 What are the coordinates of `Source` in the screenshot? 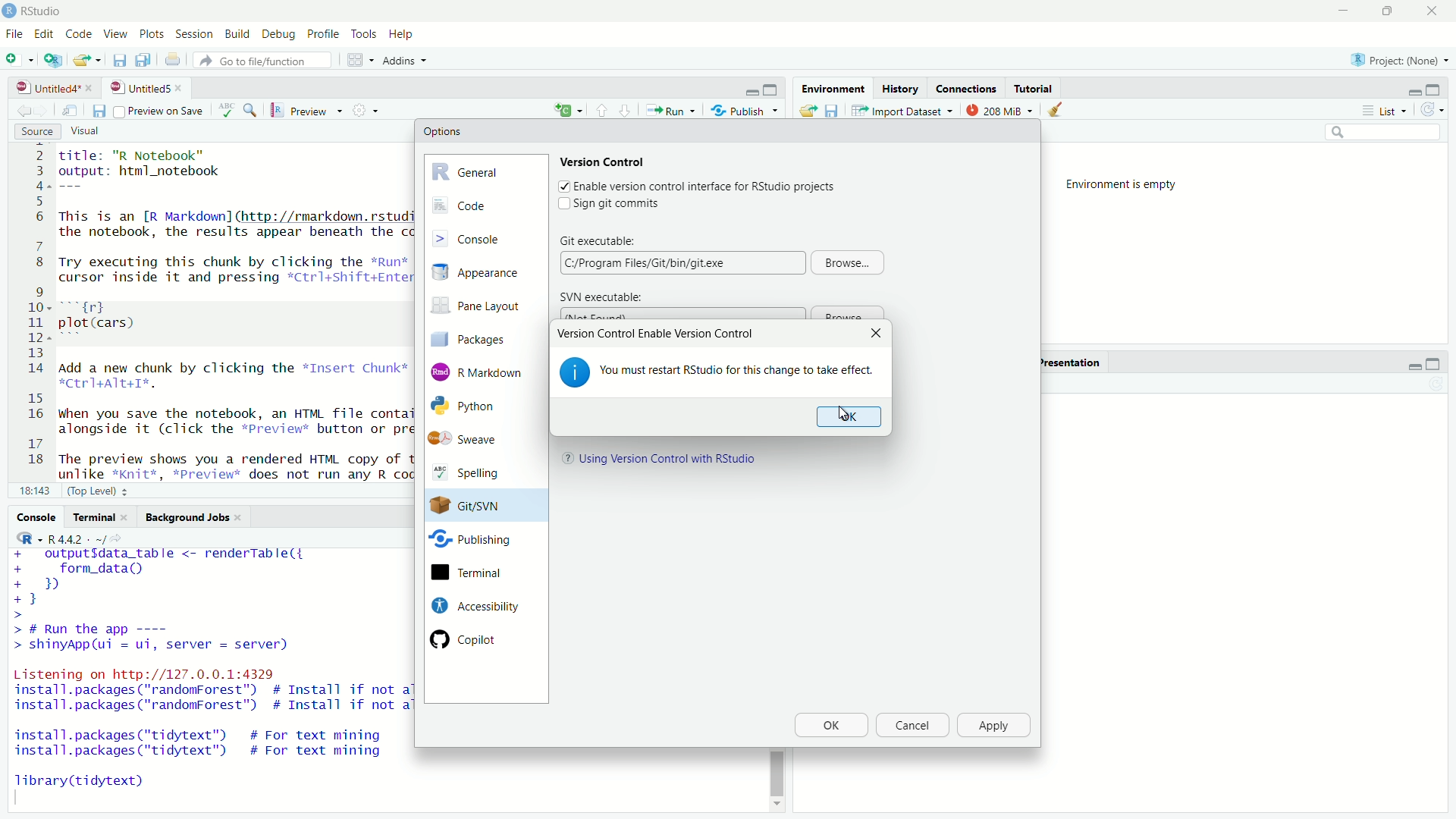 It's located at (38, 132).